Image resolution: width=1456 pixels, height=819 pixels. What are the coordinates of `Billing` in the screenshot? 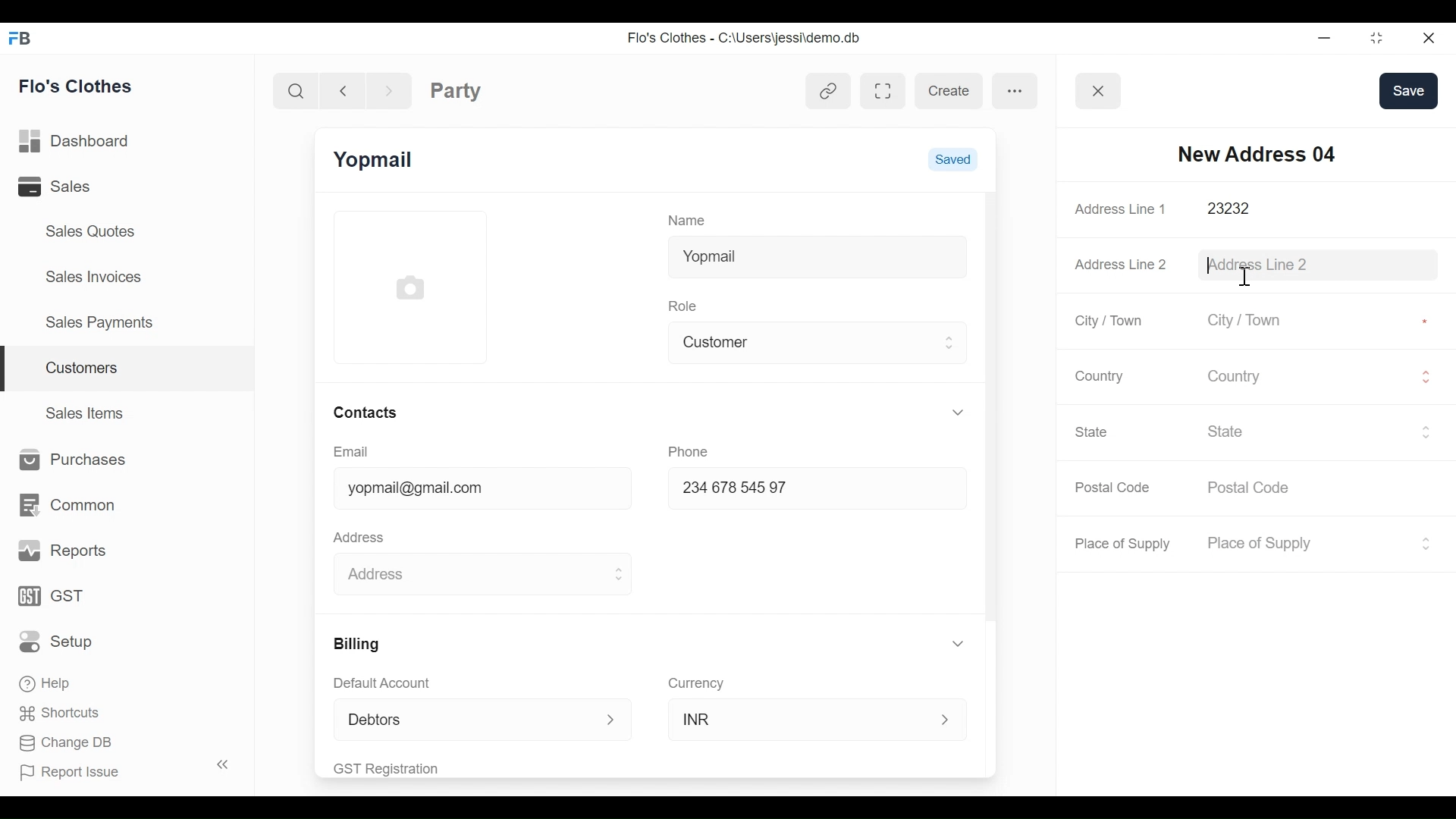 It's located at (355, 644).